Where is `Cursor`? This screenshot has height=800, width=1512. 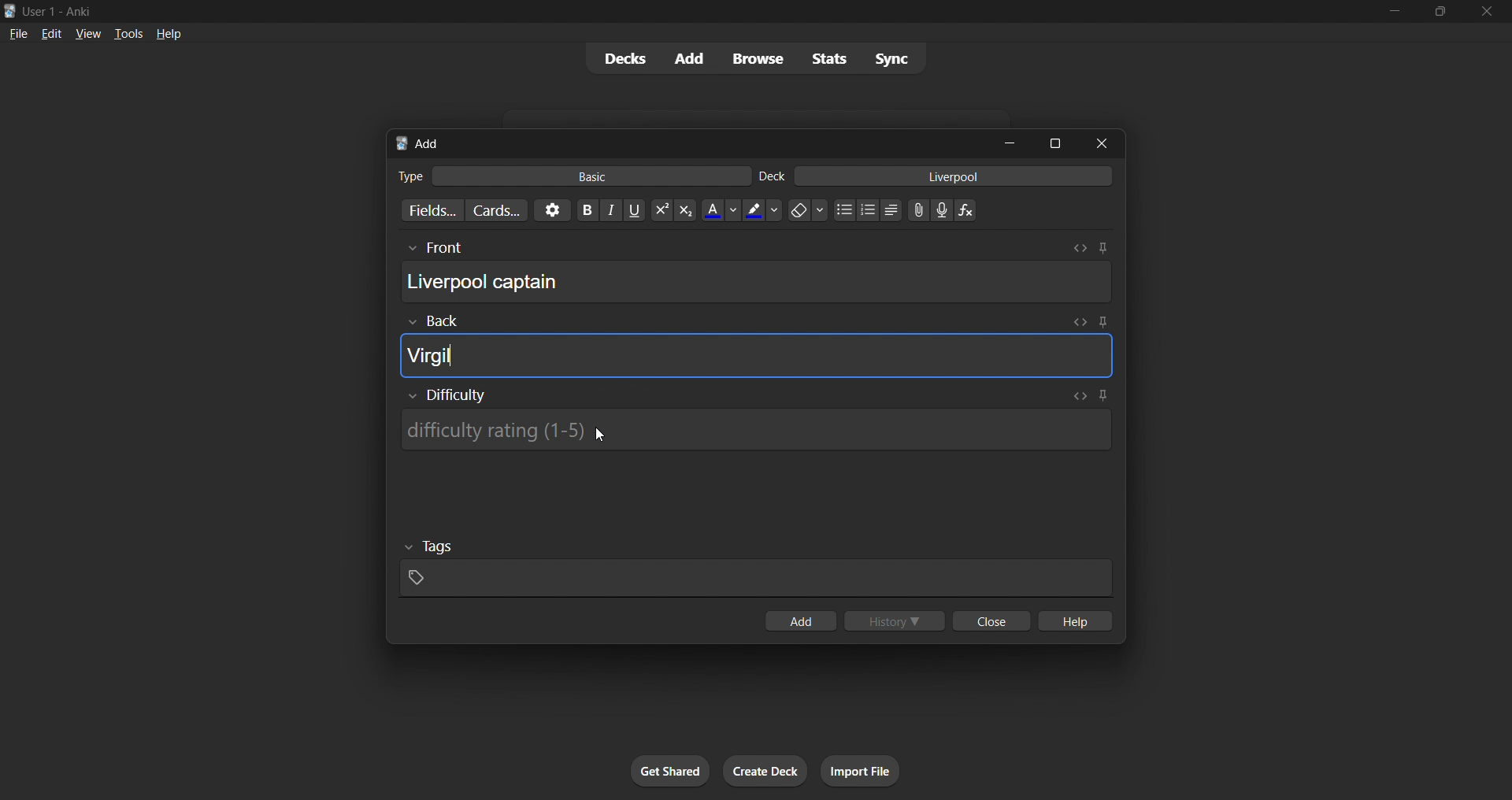 Cursor is located at coordinates (600, 435).